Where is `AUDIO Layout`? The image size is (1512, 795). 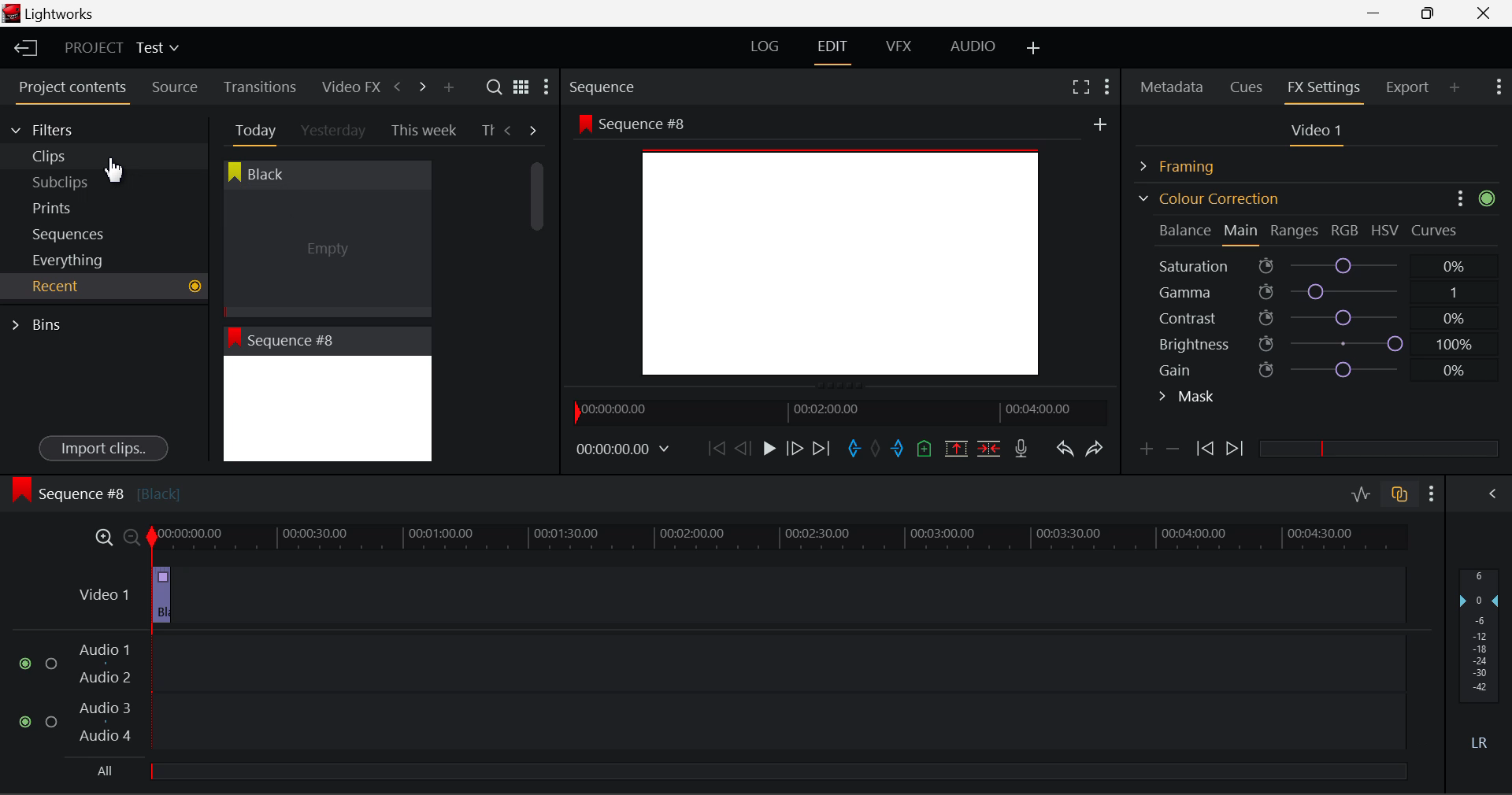 AUDIO Layout is located at coordinates (972, 46).